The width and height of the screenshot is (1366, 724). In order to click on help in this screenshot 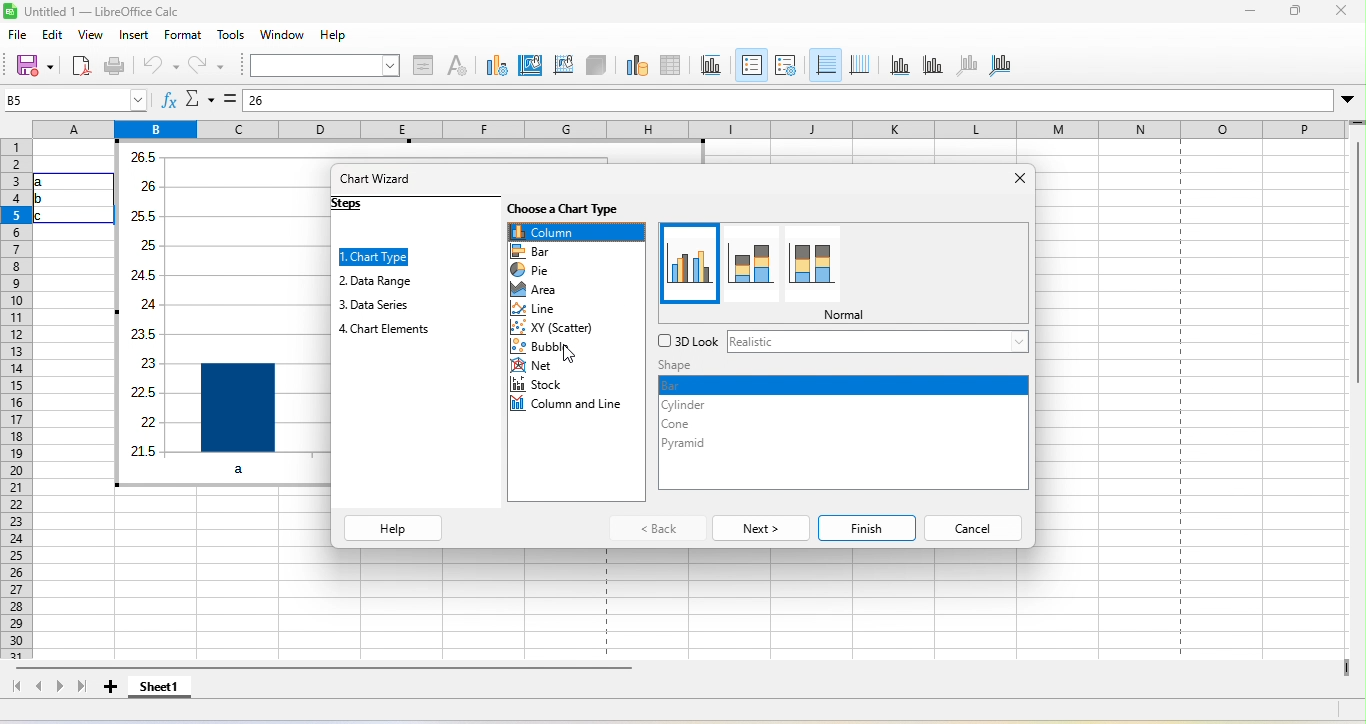, I will do `click(333, 34)`.